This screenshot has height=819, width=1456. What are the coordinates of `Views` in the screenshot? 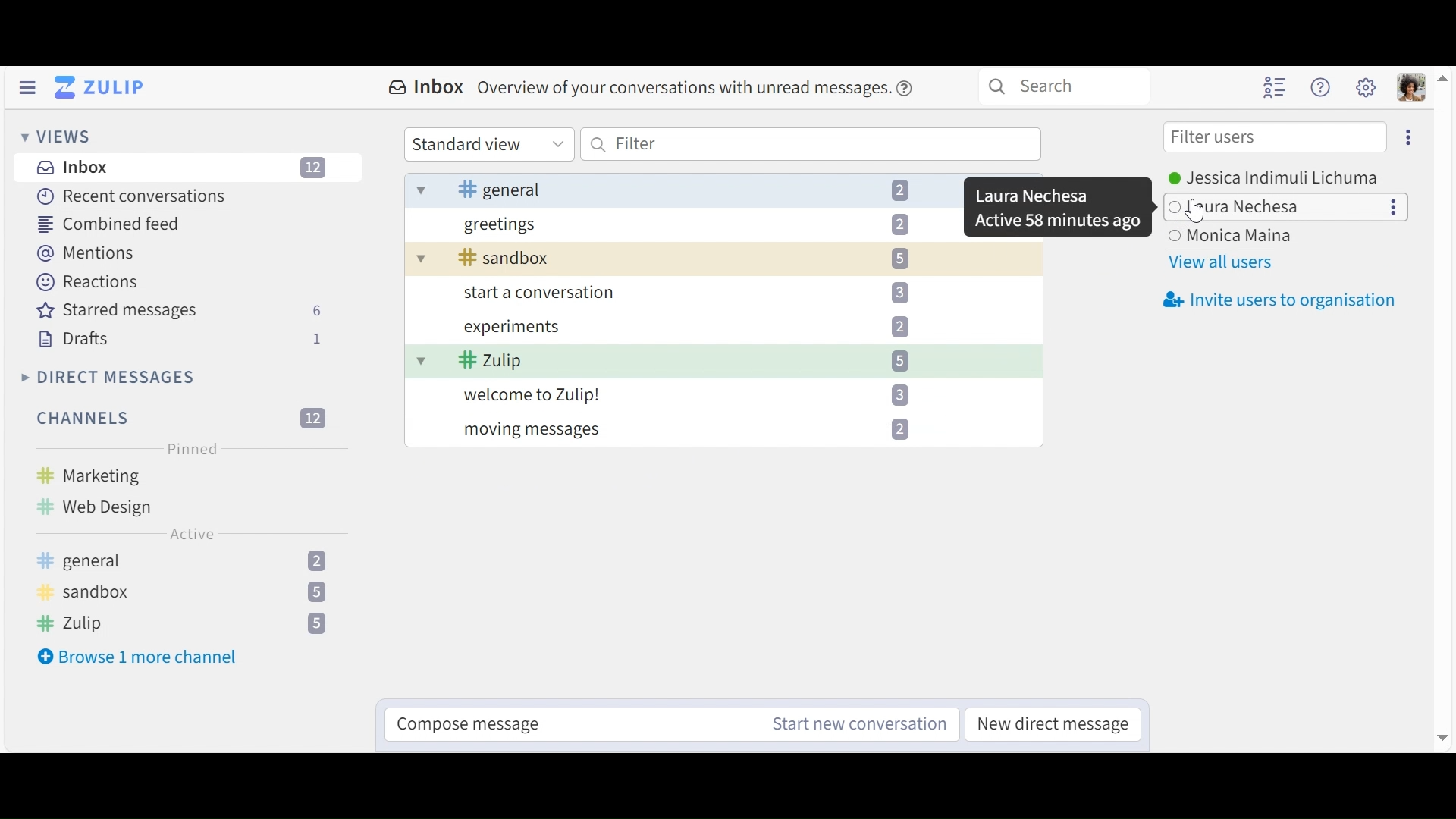 It's located at (55, 136).